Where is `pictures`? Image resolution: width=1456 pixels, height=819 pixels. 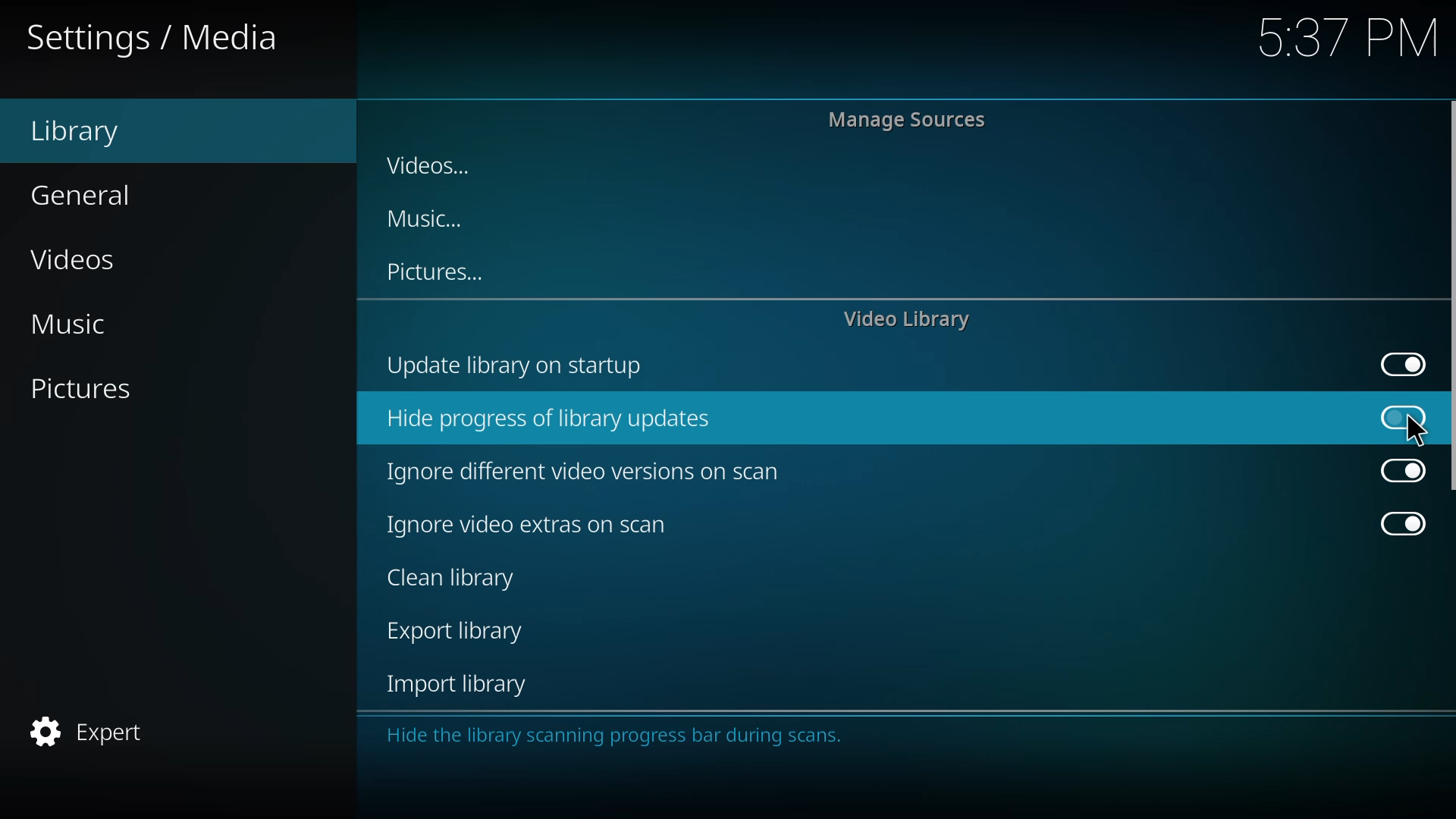 pictures is located at coordinates (100, 389).